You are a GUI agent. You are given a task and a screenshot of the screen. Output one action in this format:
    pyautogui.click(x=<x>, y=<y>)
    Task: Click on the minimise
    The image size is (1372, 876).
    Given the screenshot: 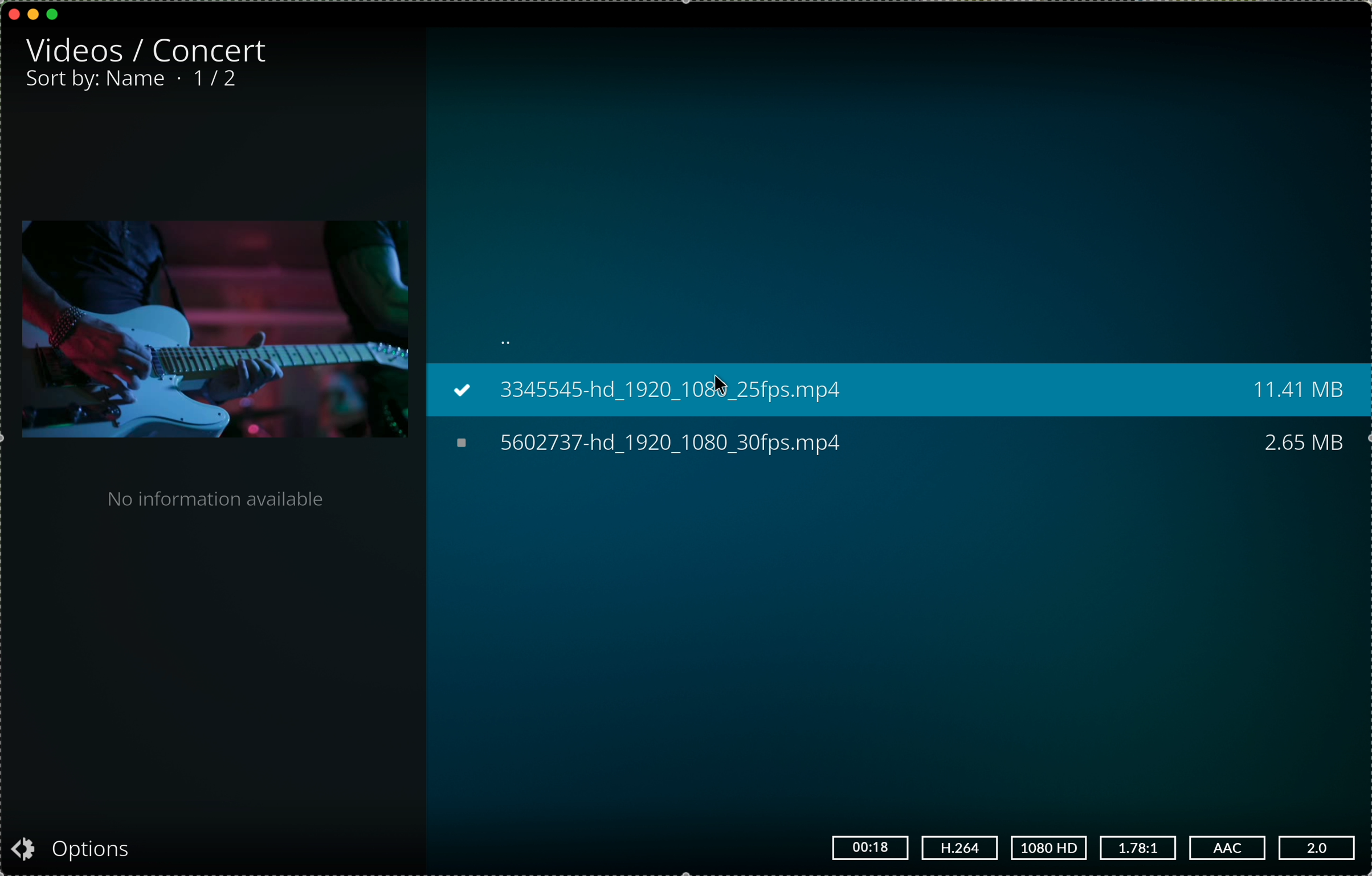 What is the action you would take?
    pyautogui.click(x=33, y=13)
    